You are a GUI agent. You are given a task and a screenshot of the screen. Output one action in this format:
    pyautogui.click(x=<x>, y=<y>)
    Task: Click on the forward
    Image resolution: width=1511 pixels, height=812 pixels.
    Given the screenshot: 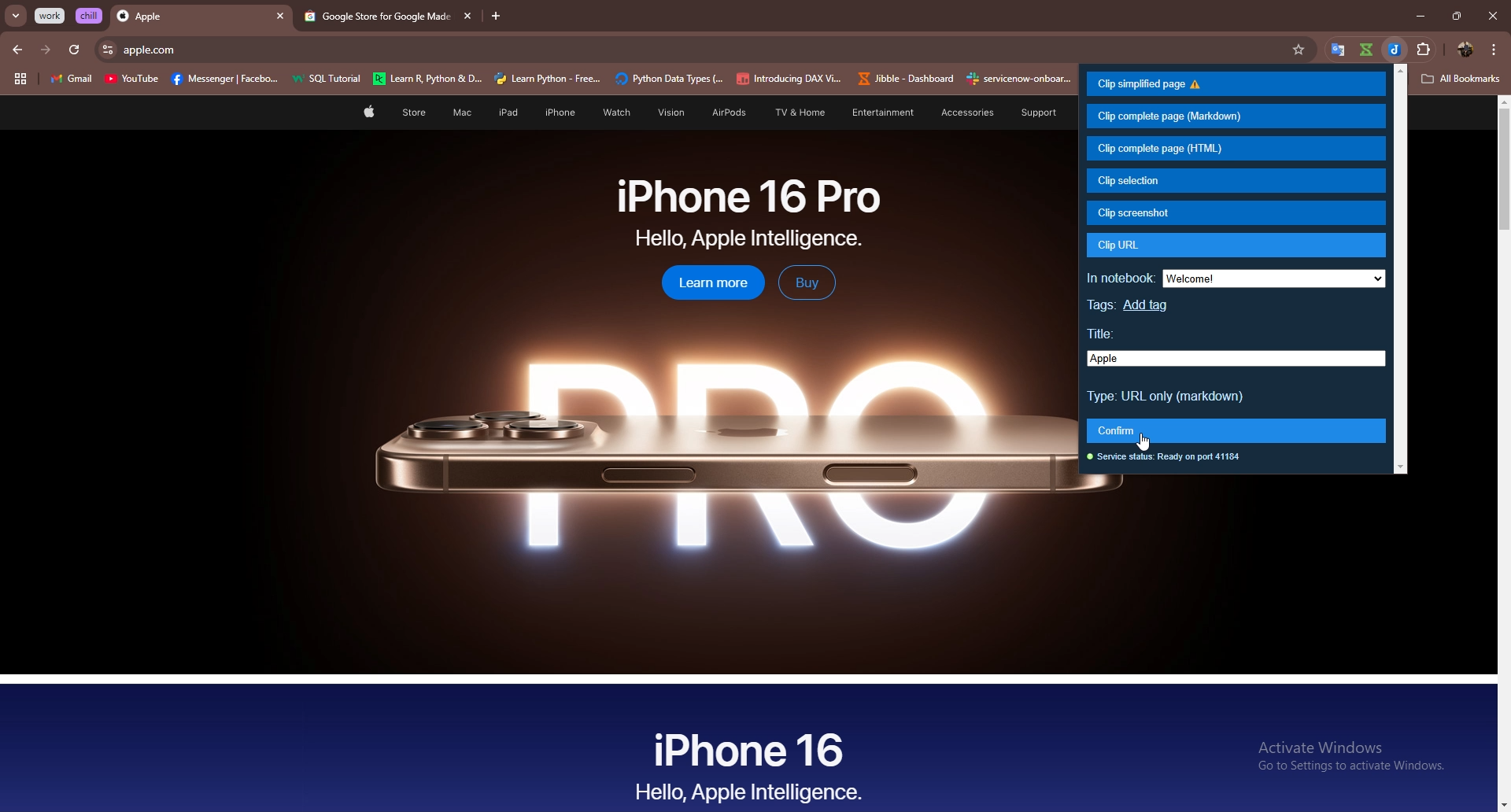 What is the action you would take?
    pyautogui.click(x=46, y=50)
    